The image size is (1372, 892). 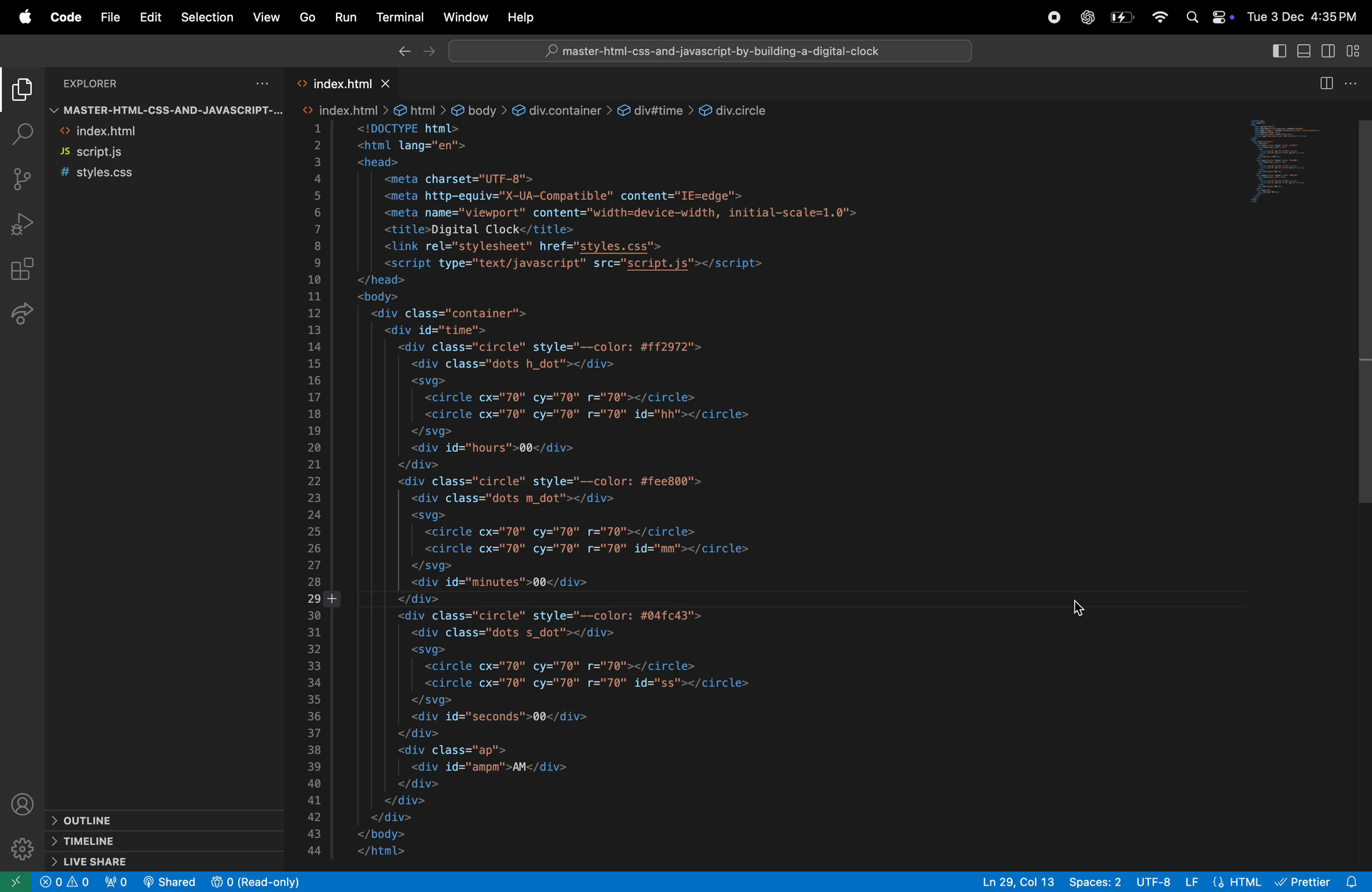 I want to click on terminal, so click(x=400, y=18).